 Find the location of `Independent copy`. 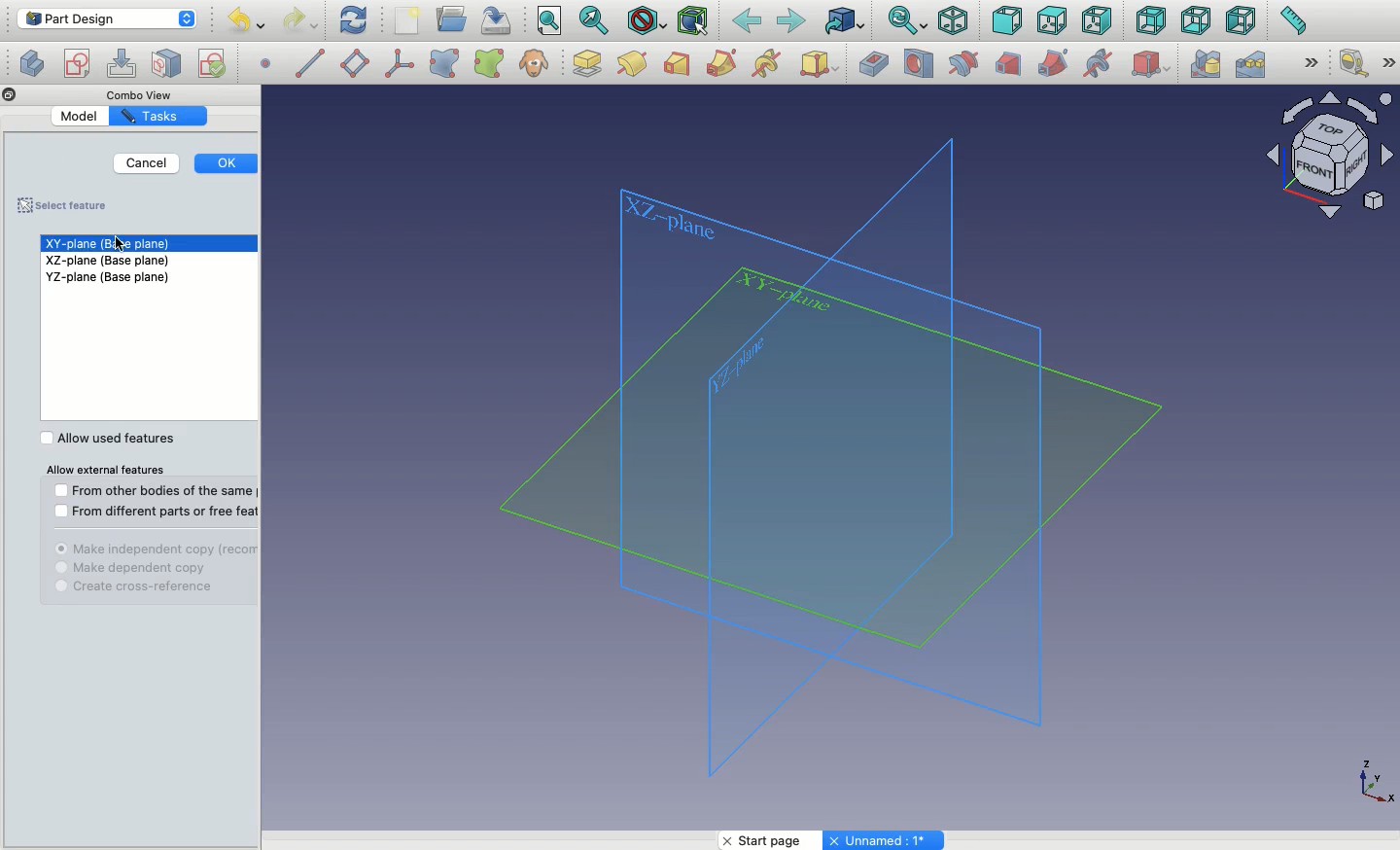

Independent copy is located at coordinates (160, 549).